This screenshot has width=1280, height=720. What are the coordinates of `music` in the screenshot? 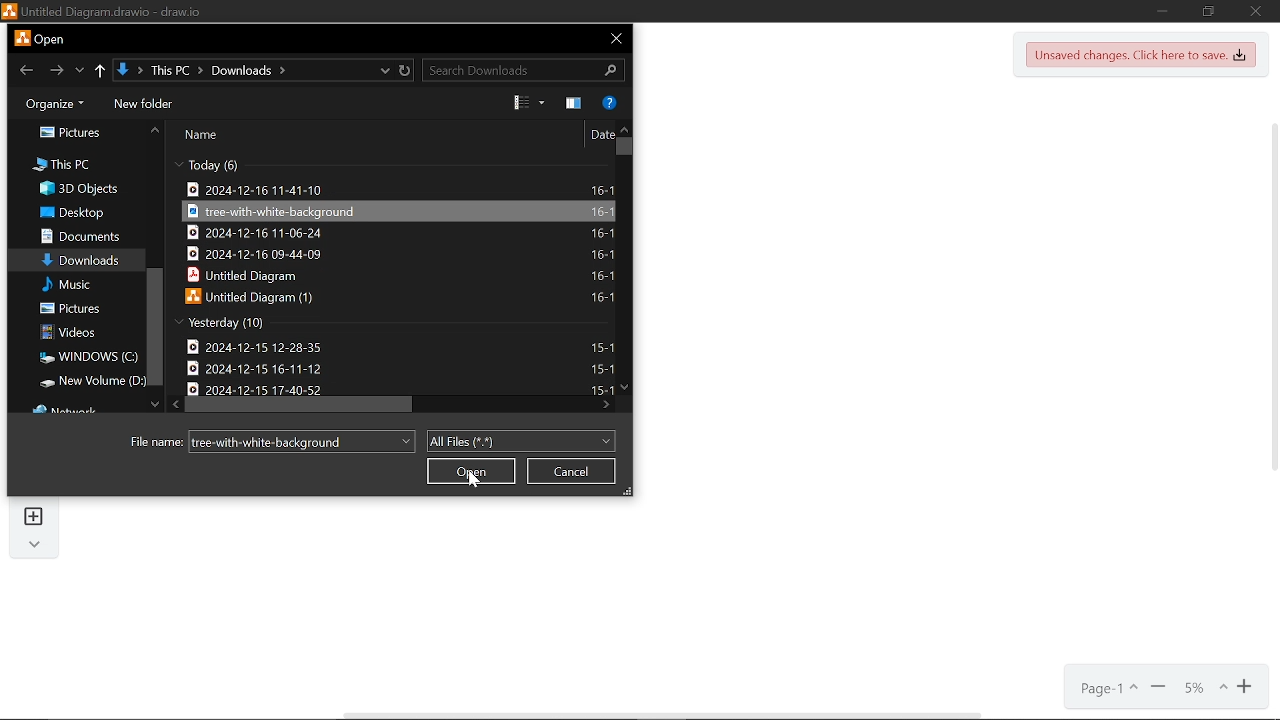 It's located at (68, 284).